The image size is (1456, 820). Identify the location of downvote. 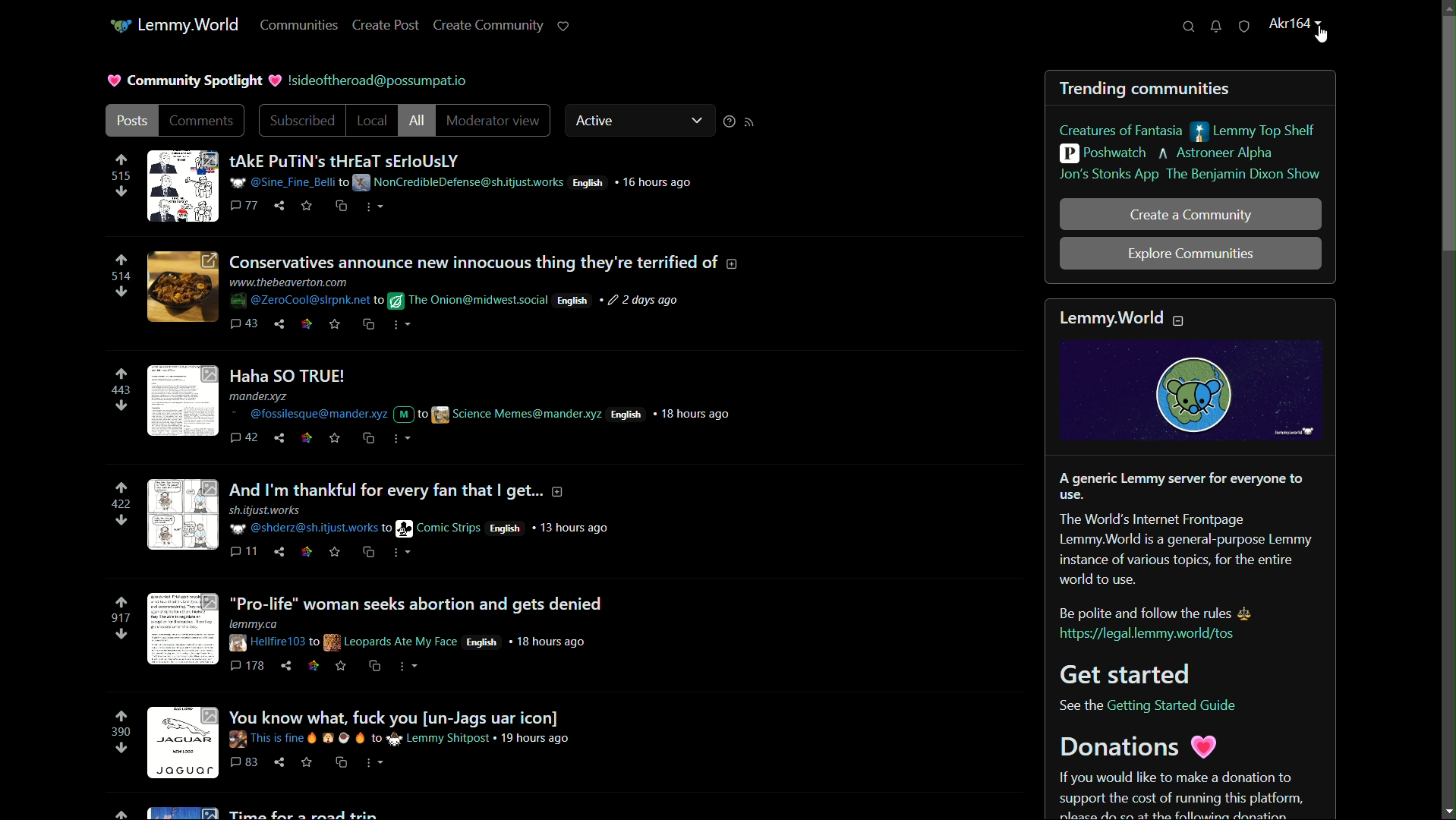
(121, 292).